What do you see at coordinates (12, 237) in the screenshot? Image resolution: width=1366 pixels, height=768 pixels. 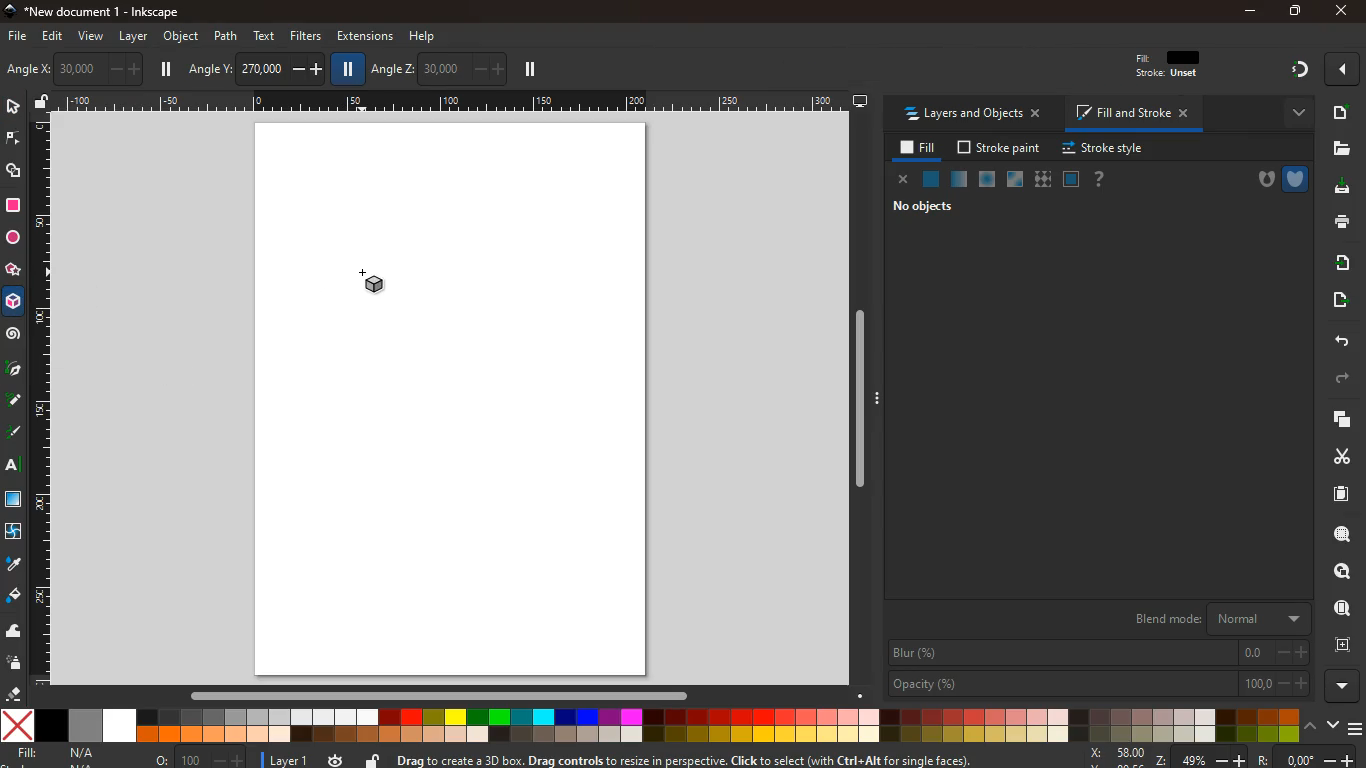 I see `circle` at bounding box center [12, 237].